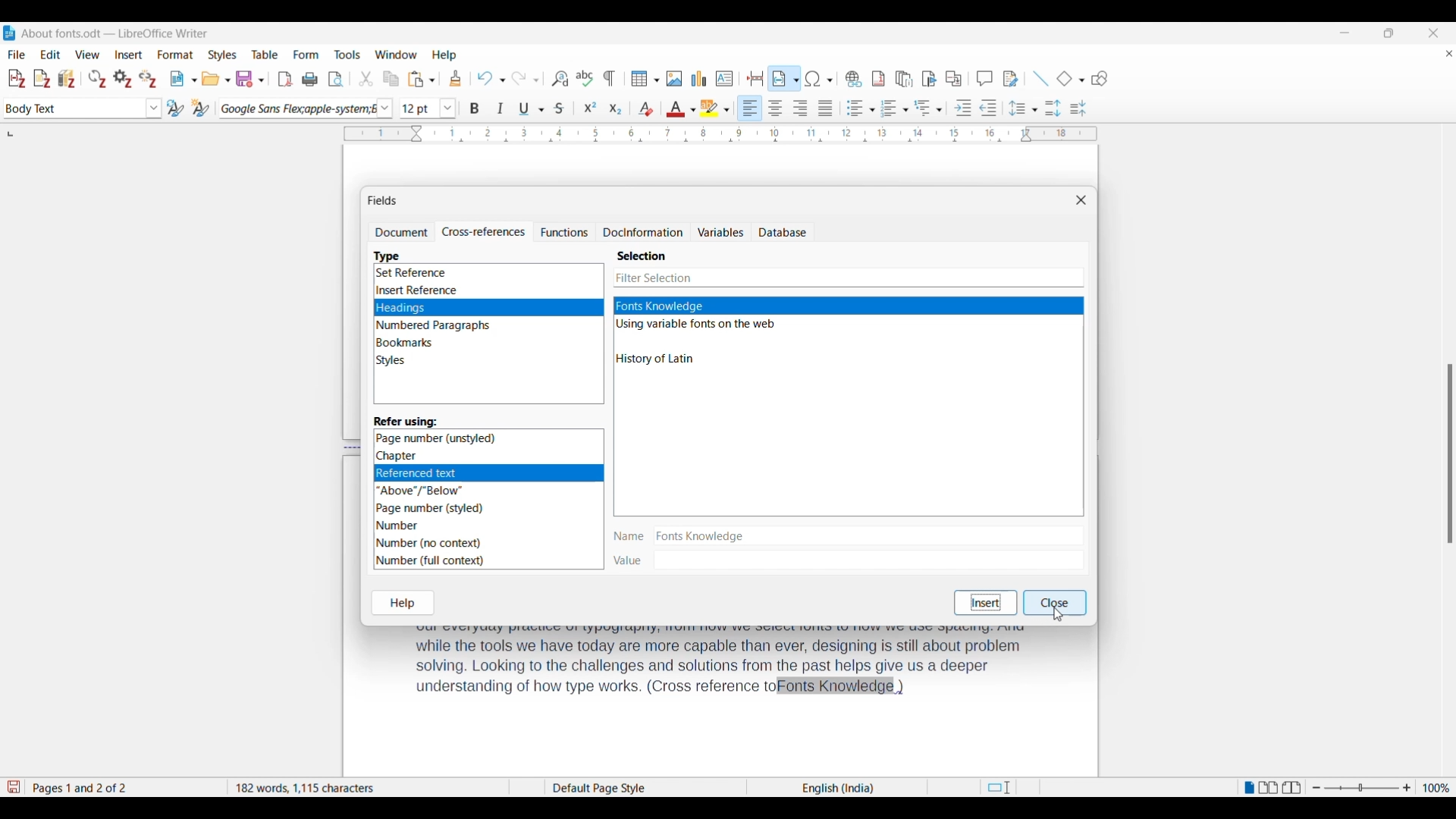 Image resolution: width=1456 pixels, height=819 pixels. I want to click on Book view, so click(1292, 787).